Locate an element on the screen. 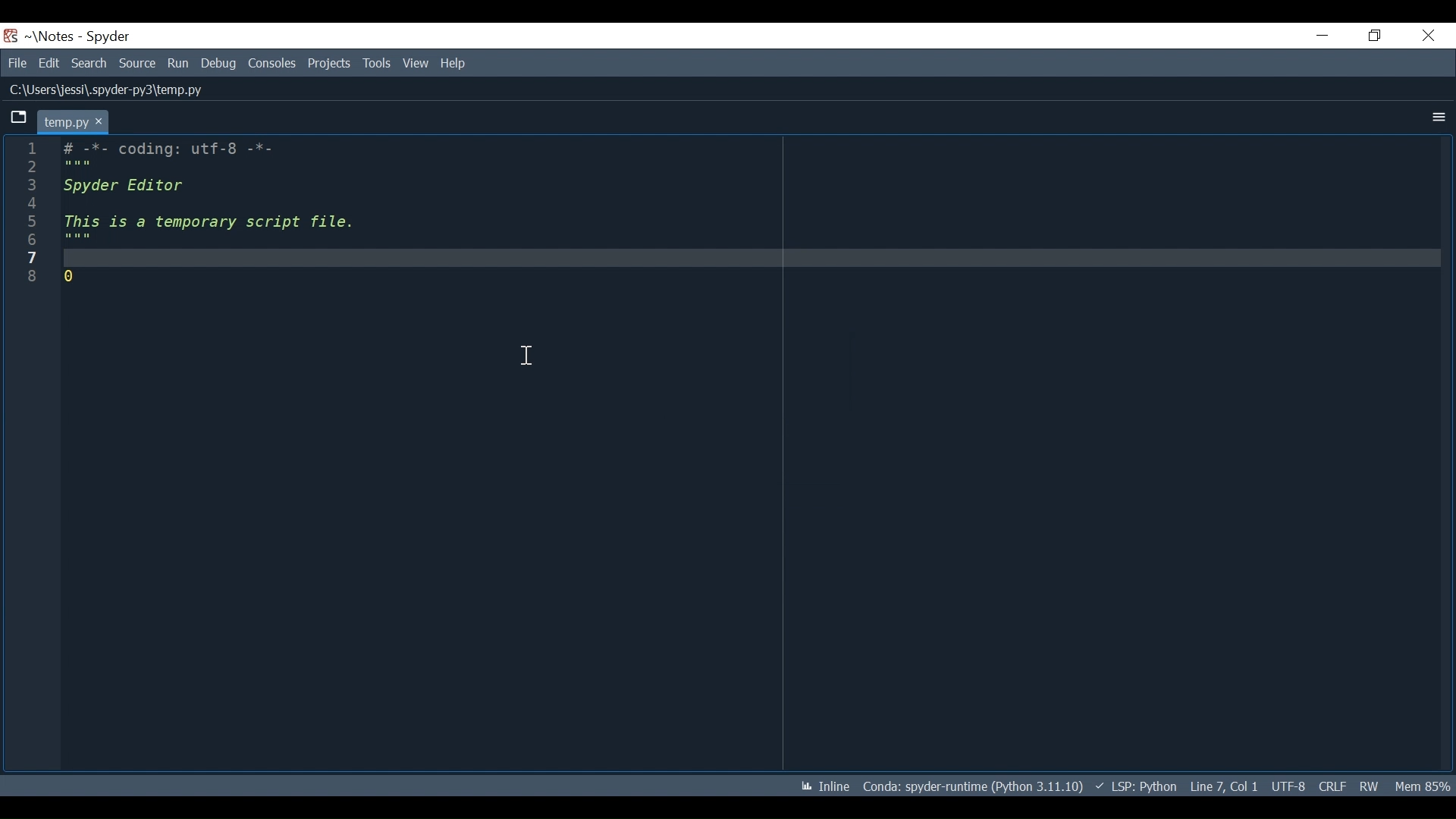 The height and width of the screenshot is (819, 1456). Consoles is located at coordinates (274, 63).